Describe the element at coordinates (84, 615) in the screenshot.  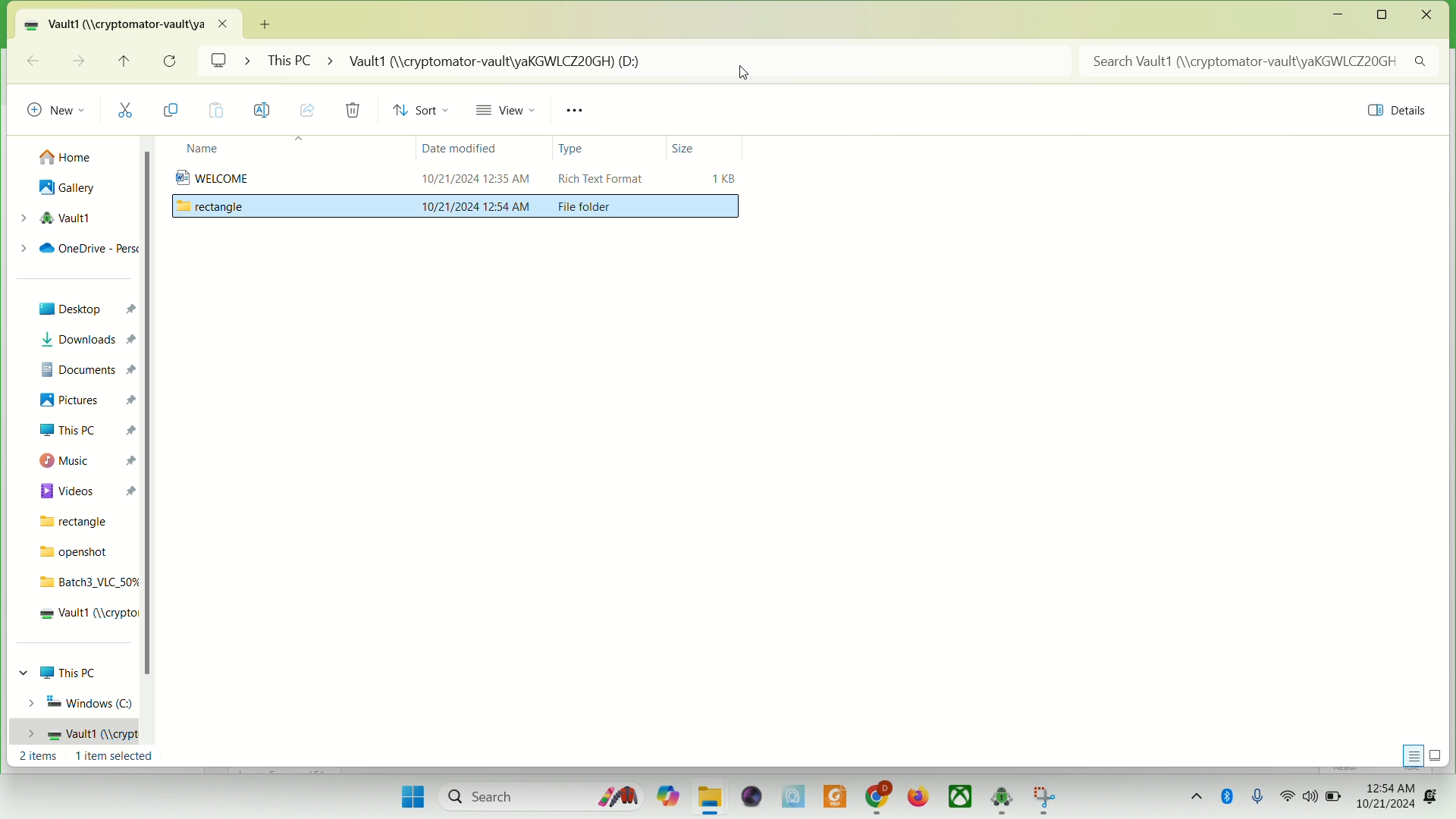
I see `vault1` at that location.